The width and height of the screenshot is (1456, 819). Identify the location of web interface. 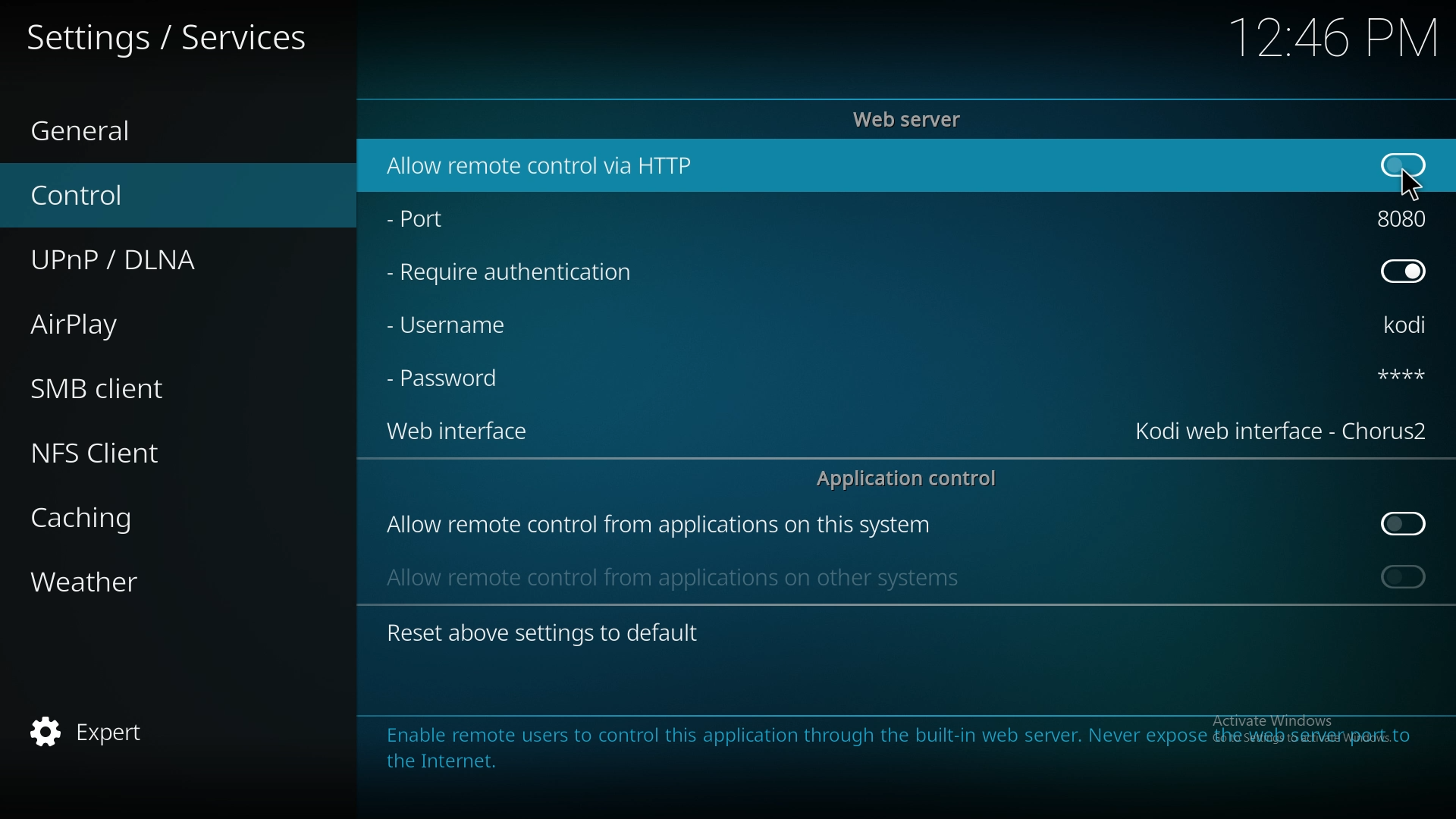
(457, 429).